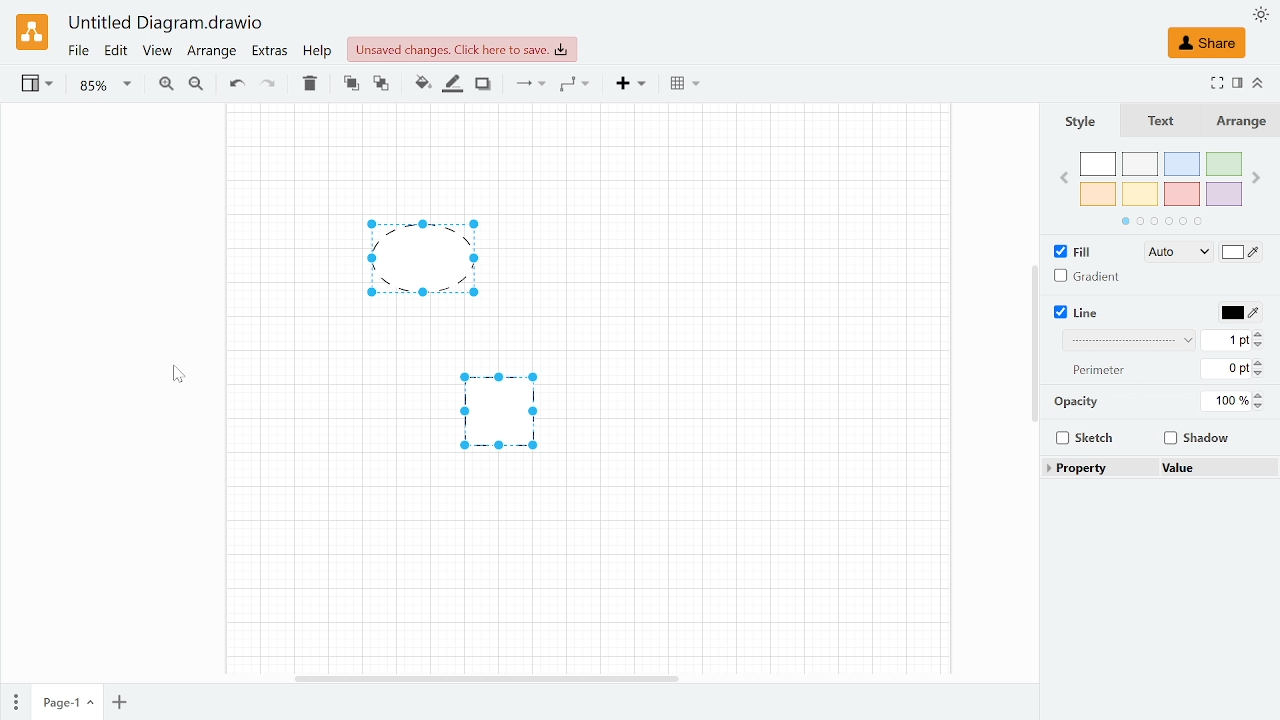 Image resolution: width=1280 pixels, height=720 pixels. I want to click on , so click(1218, 83).